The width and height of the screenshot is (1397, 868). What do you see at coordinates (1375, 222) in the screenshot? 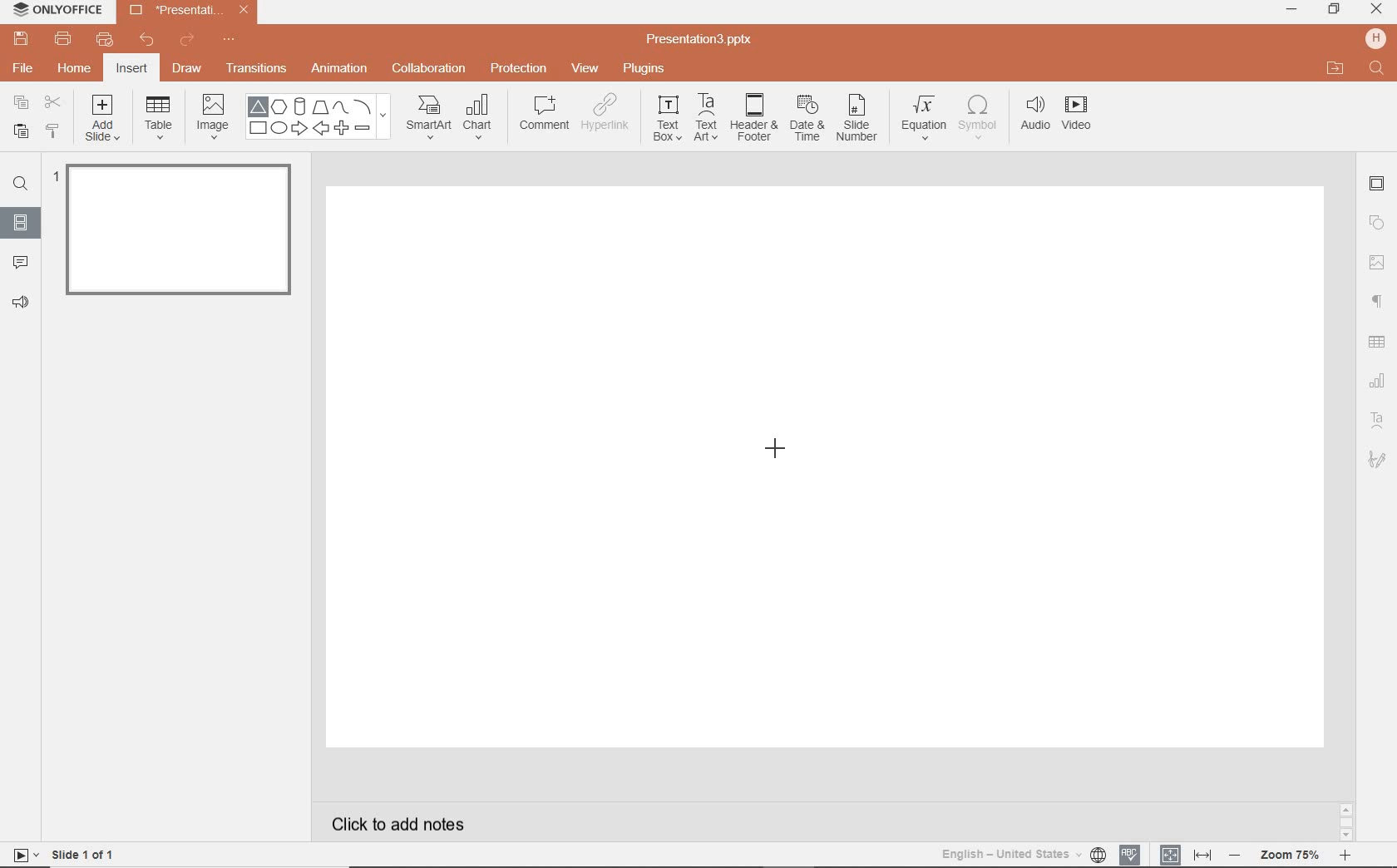
I see `SHAPE SETTINGS` at bounding box center [1375, 222].